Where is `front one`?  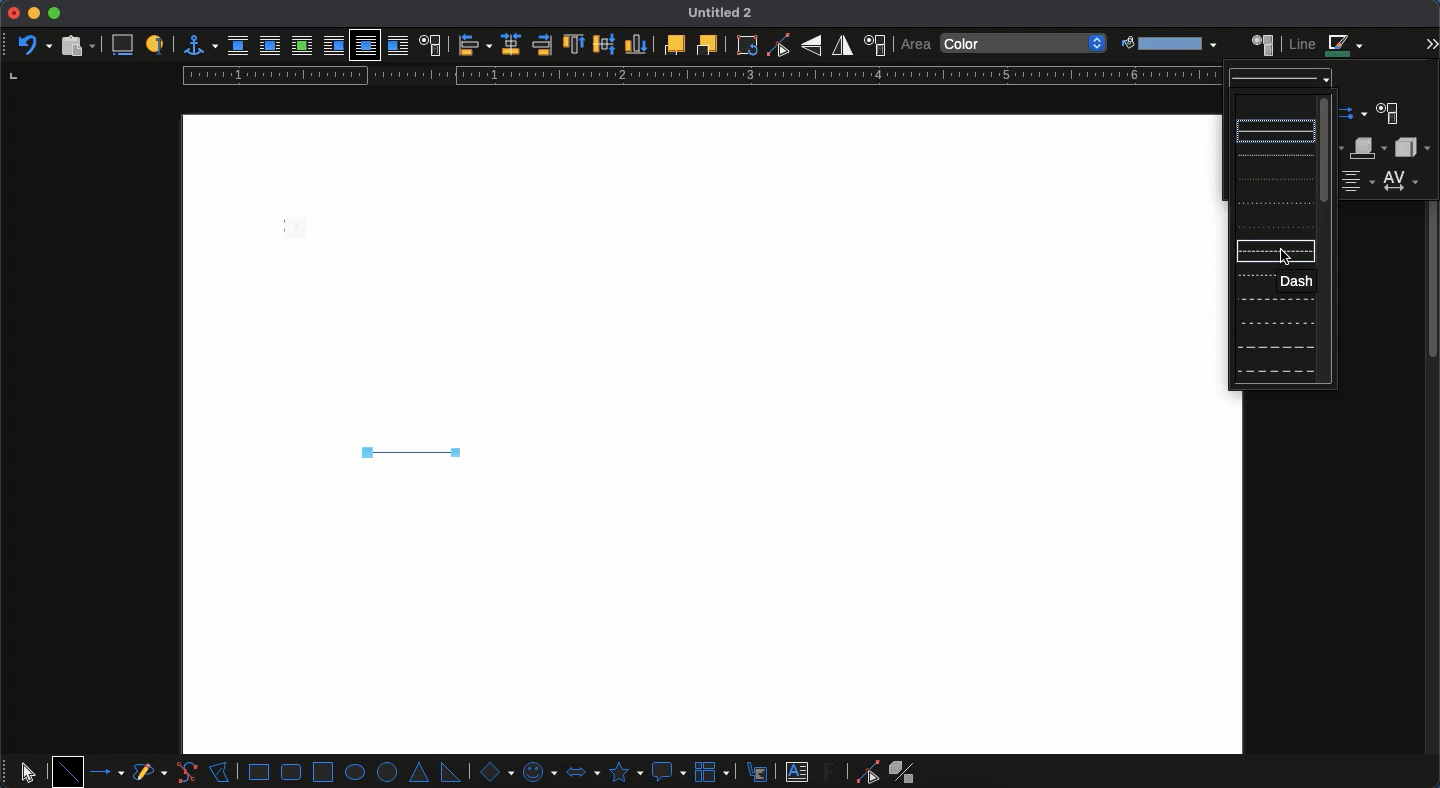 front one is located at coordinates (673, 44).